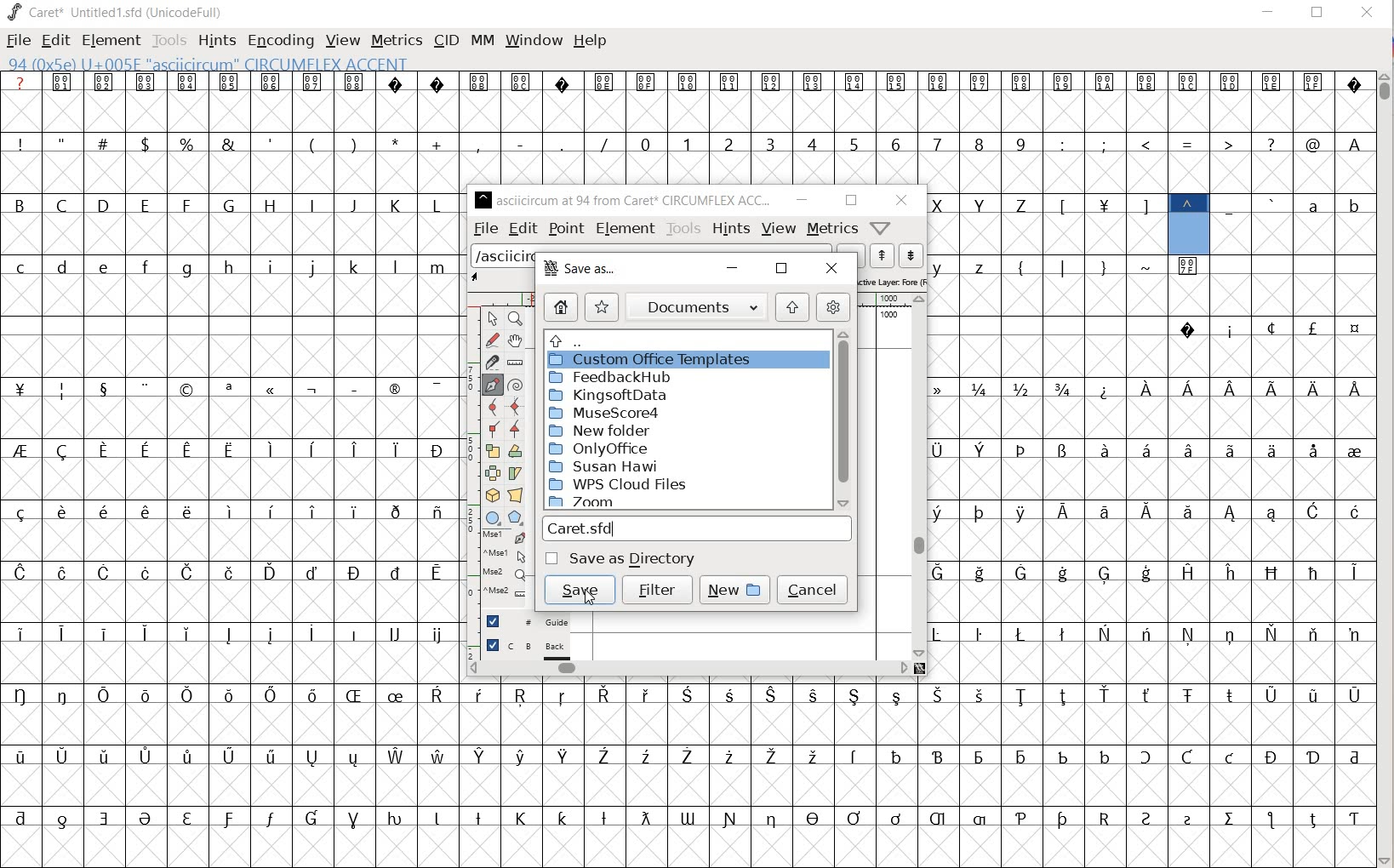  I want to click on MAGNIFY, so click(518, 319).